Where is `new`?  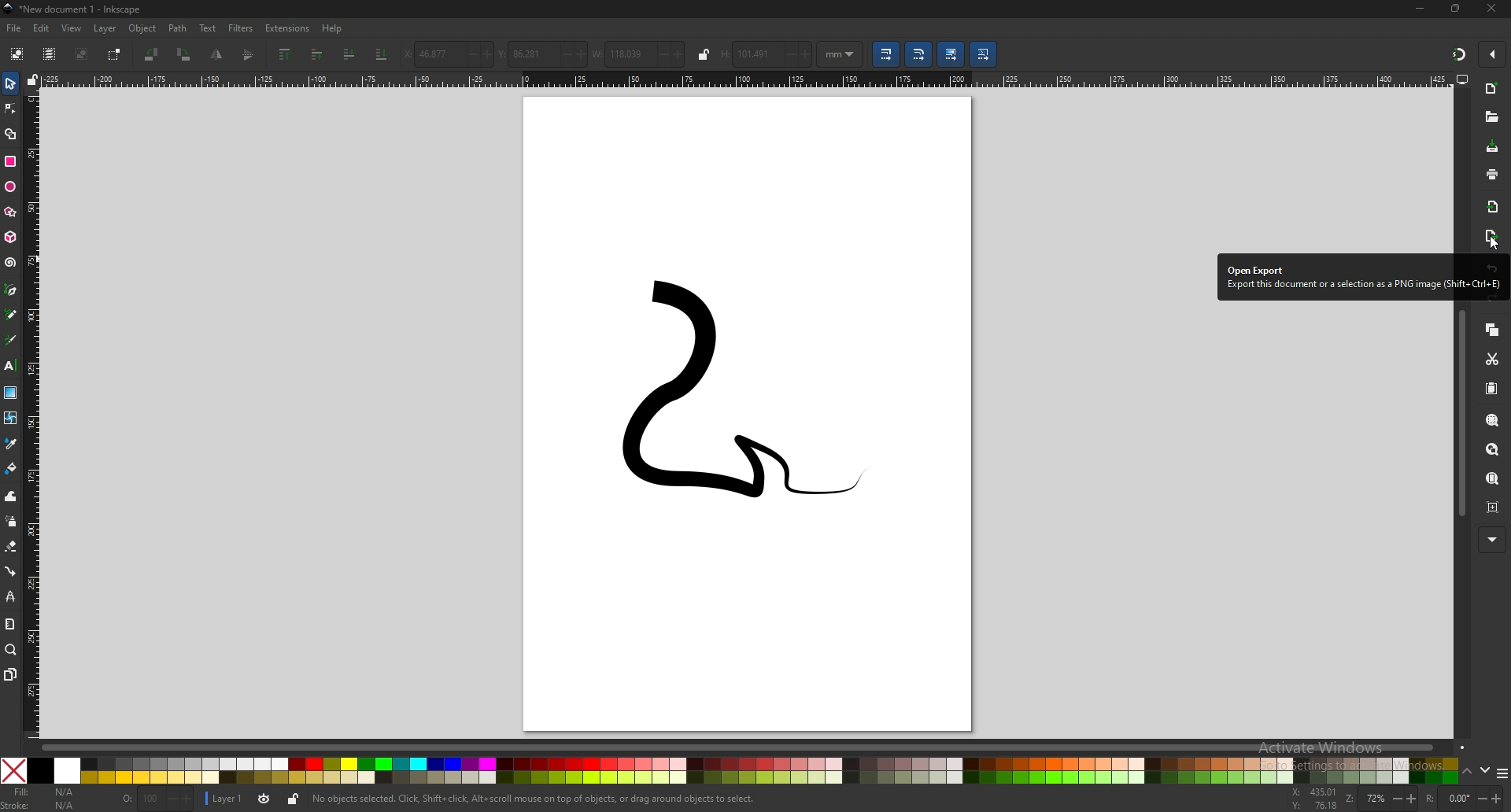 new is located at coordinates (1494, 89).